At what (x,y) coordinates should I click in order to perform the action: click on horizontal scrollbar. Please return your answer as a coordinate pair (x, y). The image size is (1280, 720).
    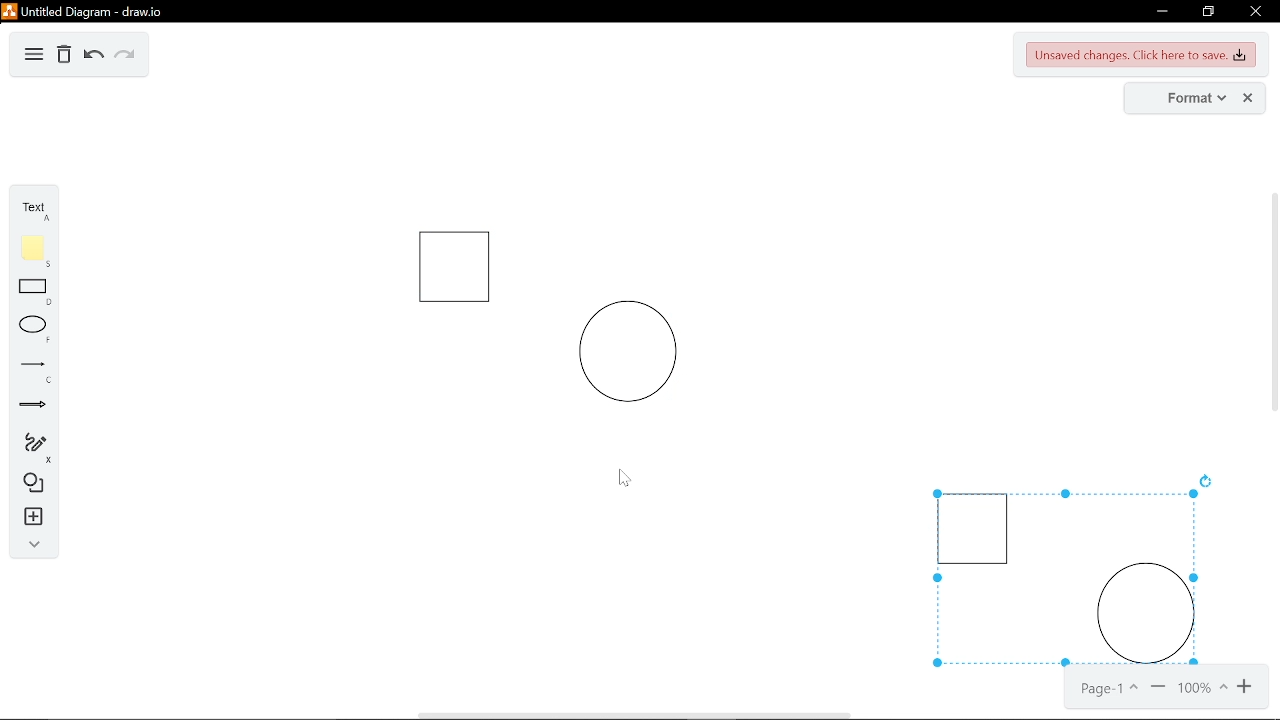
    Looking at the image, I should click on (710, 715).